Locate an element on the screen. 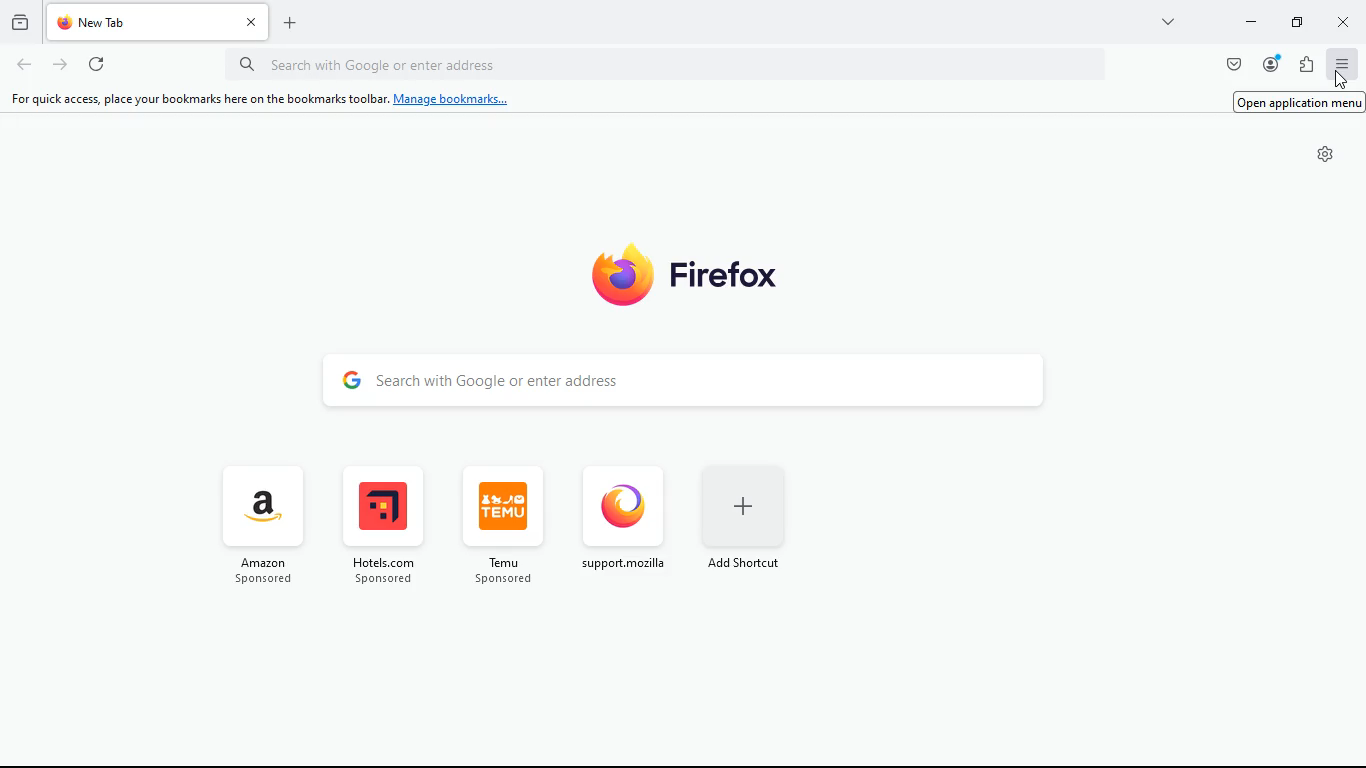 Image resolution: width=1366 pixels, height=768 pixels. firefox is located at coordinates (702, 271).